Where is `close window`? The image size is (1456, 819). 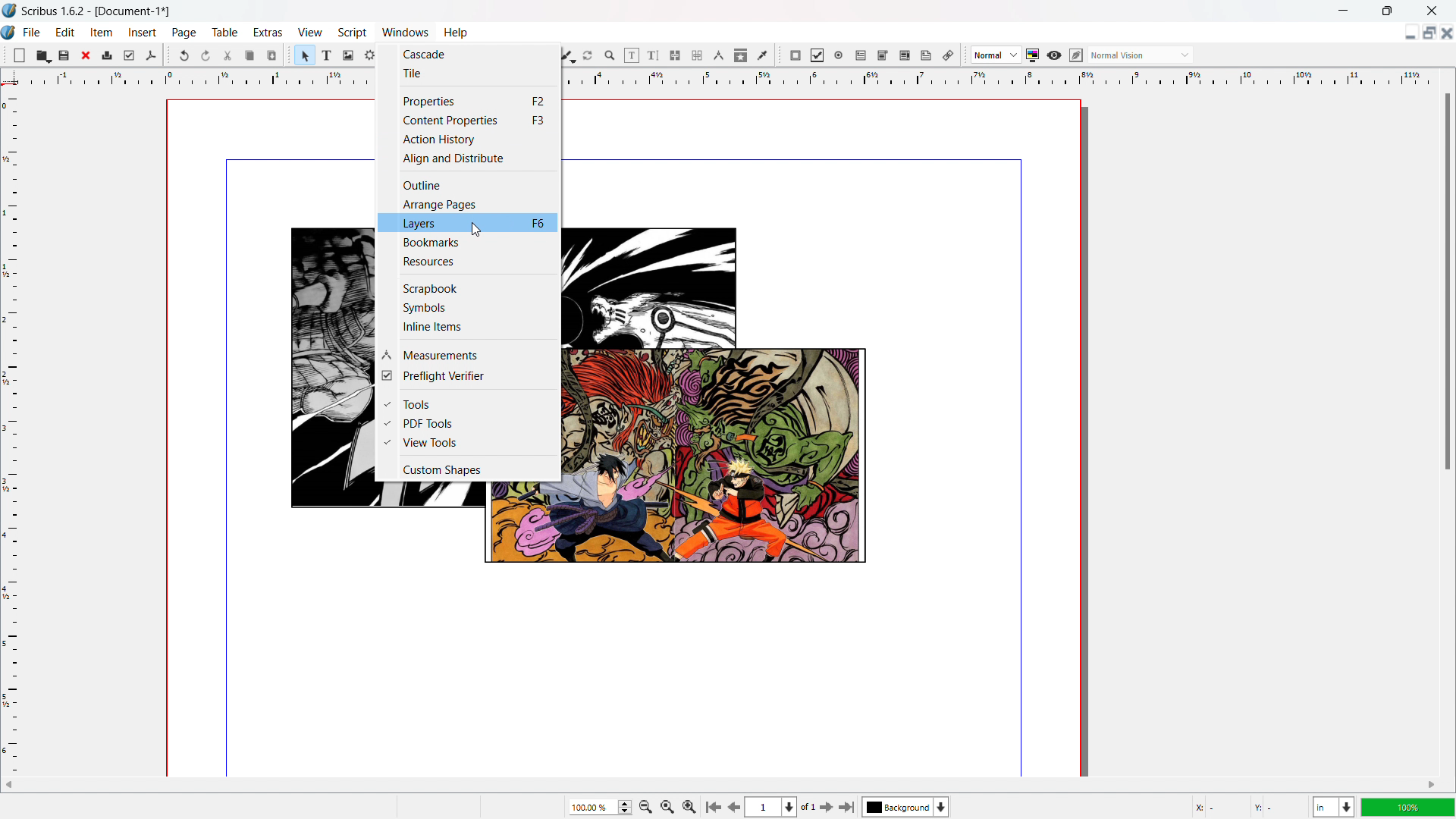
close window is located at coordinates (1432, 11).